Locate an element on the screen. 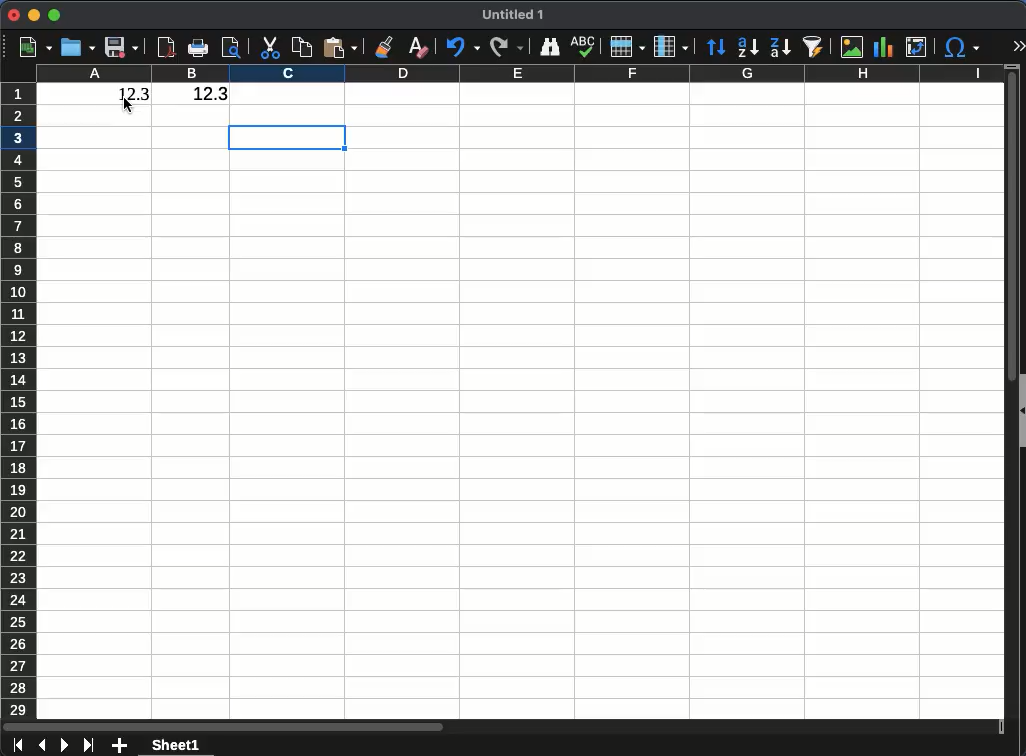  sort is located at coordinates (716, 47).